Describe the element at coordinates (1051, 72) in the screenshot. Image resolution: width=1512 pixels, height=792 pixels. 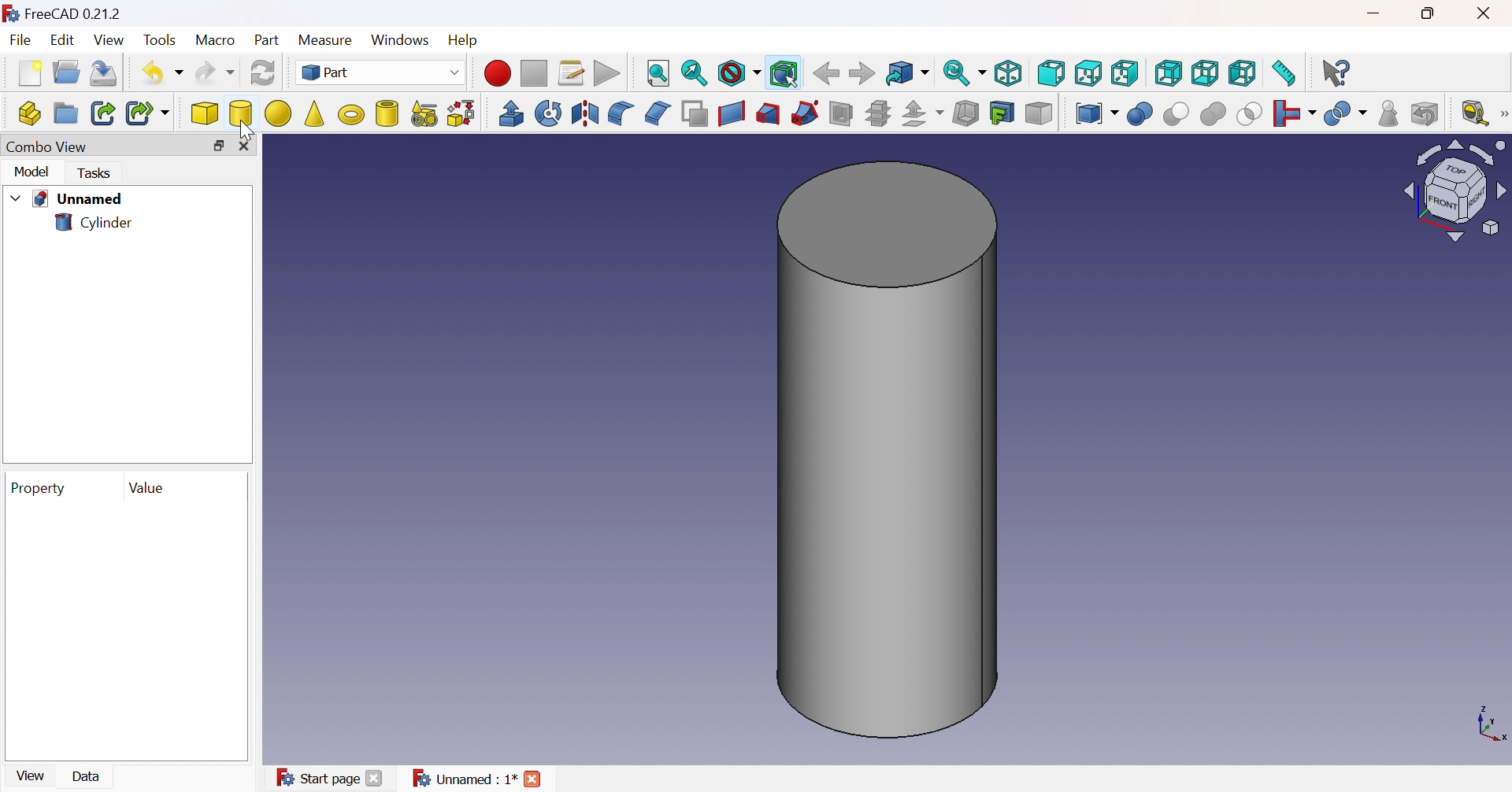
I see `Front` at that location.